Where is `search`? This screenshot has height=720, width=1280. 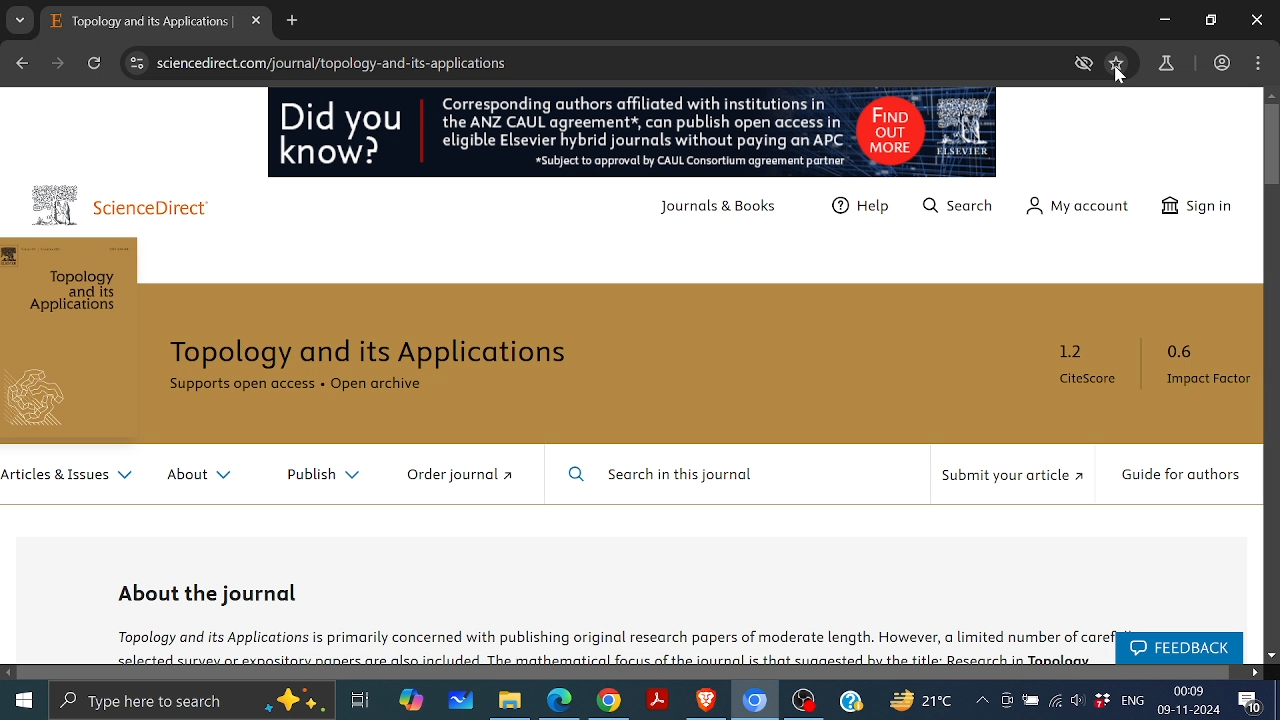 search is located at coordinates (962, 210).